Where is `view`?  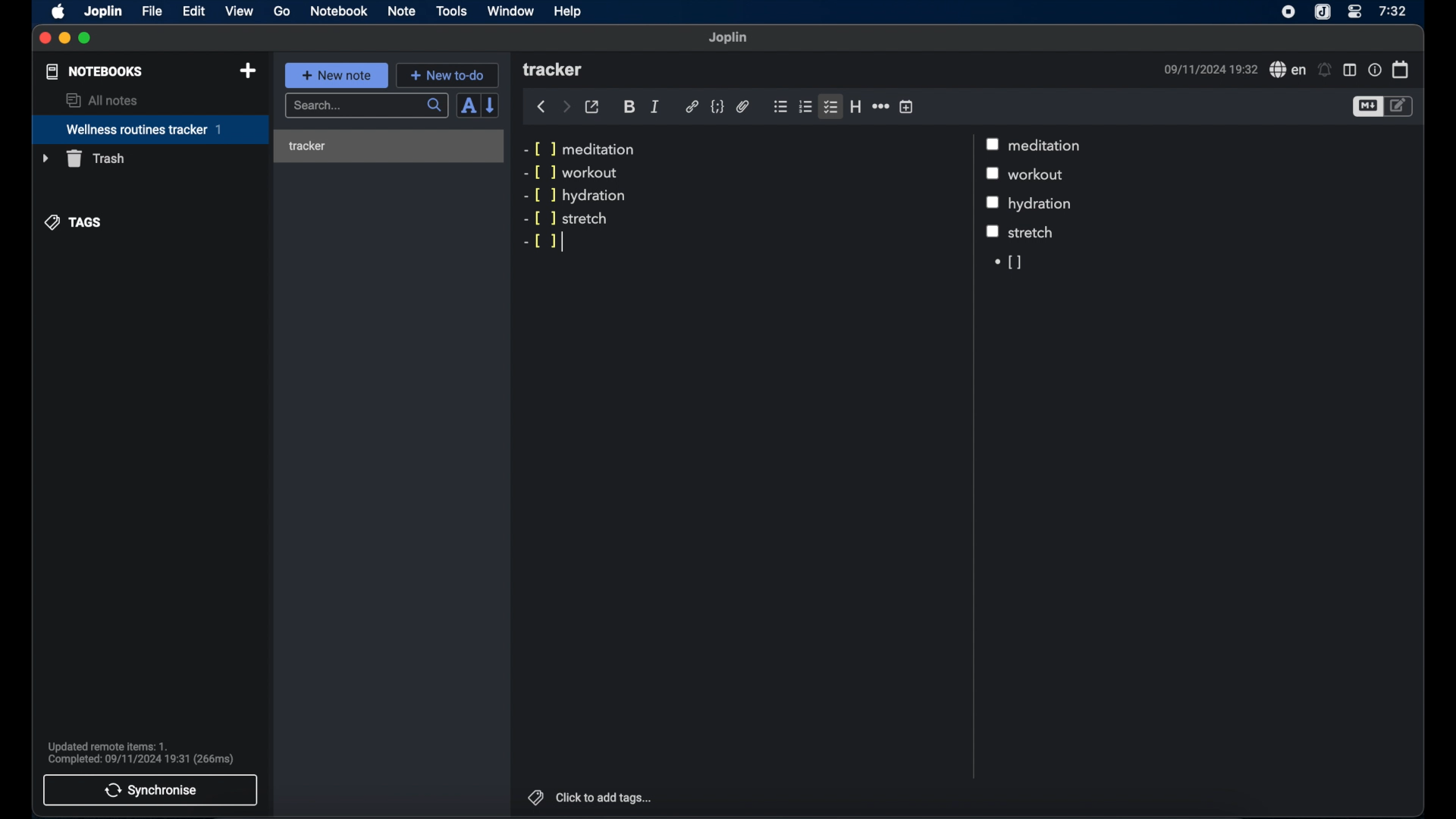 view is located at coordinates (239, 11).